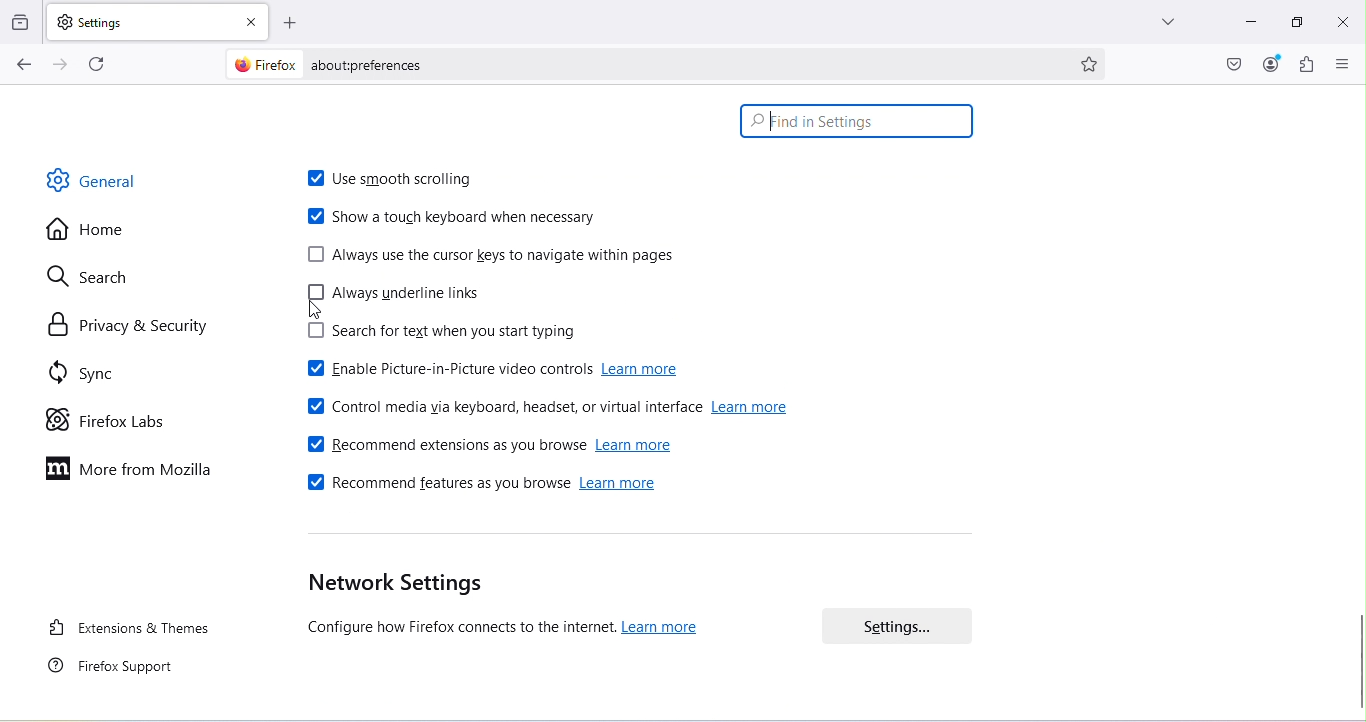 The width and height of the screenshot is (1366, 722). I want to click on Search bar, so click(857, 122).